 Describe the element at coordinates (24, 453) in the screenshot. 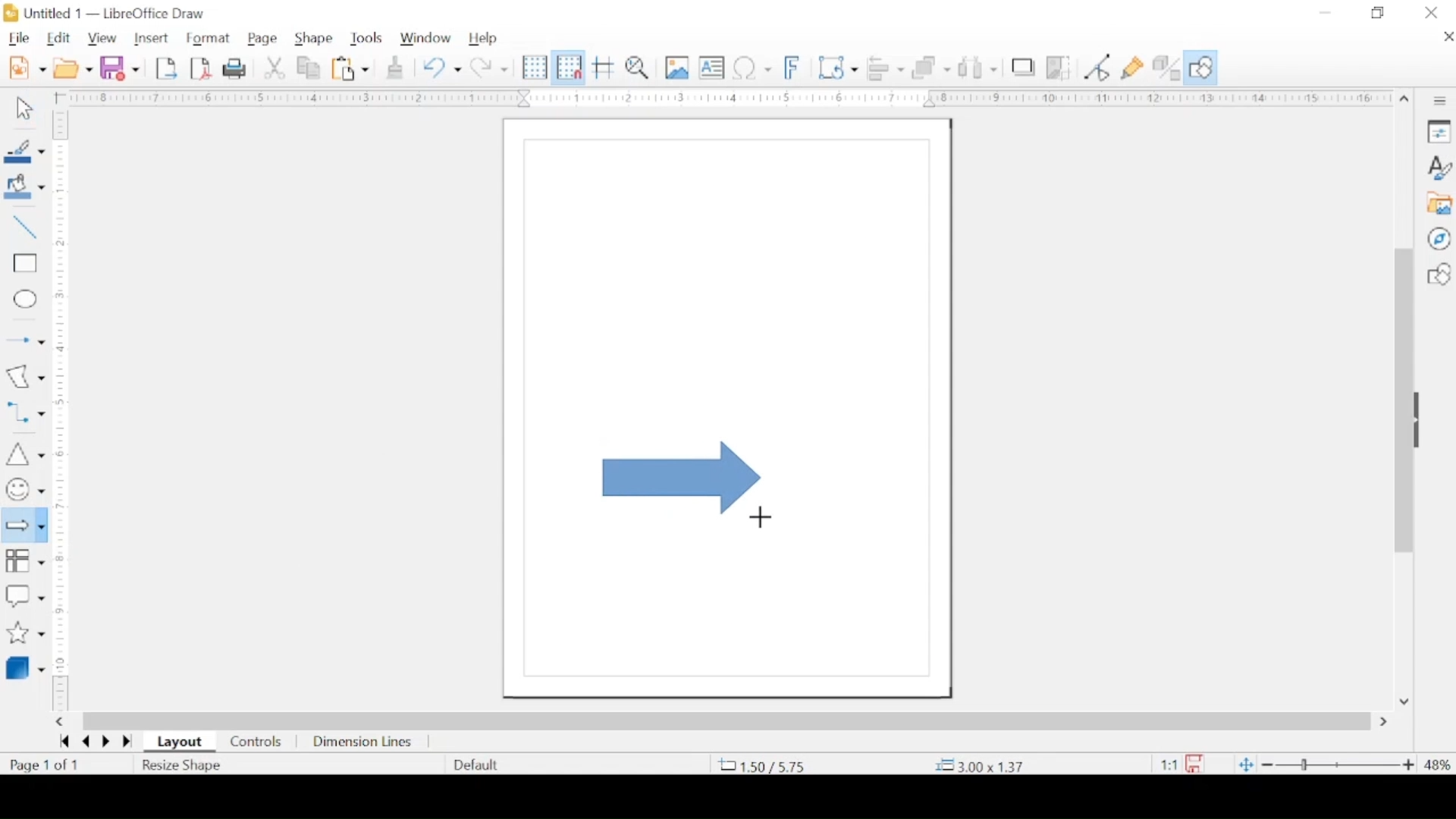

I see `insert triangle` at that location.